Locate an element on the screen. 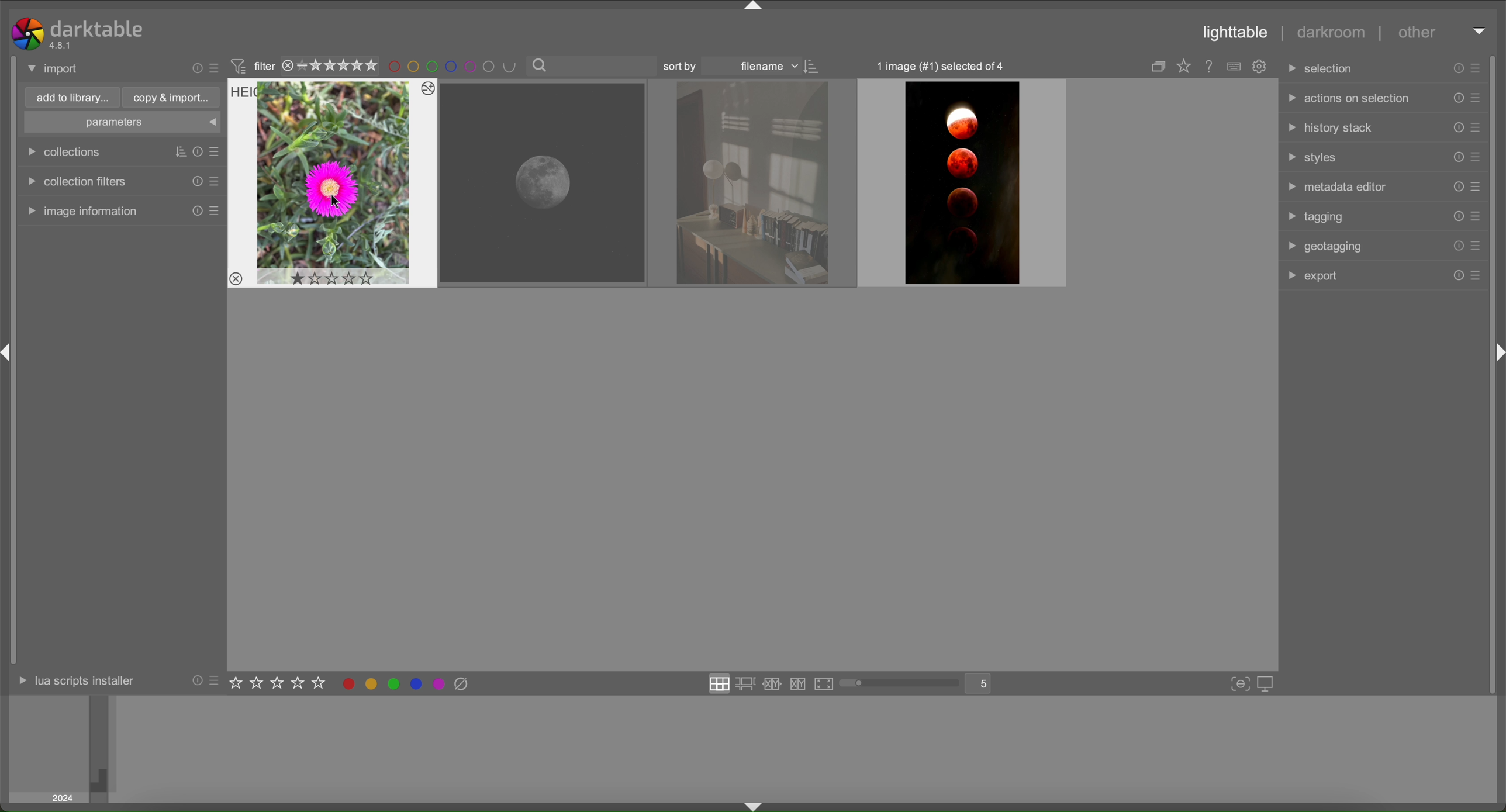 The height and width of the screenshot is (812, 1506). arrow is located at coordinates (1479, 30).